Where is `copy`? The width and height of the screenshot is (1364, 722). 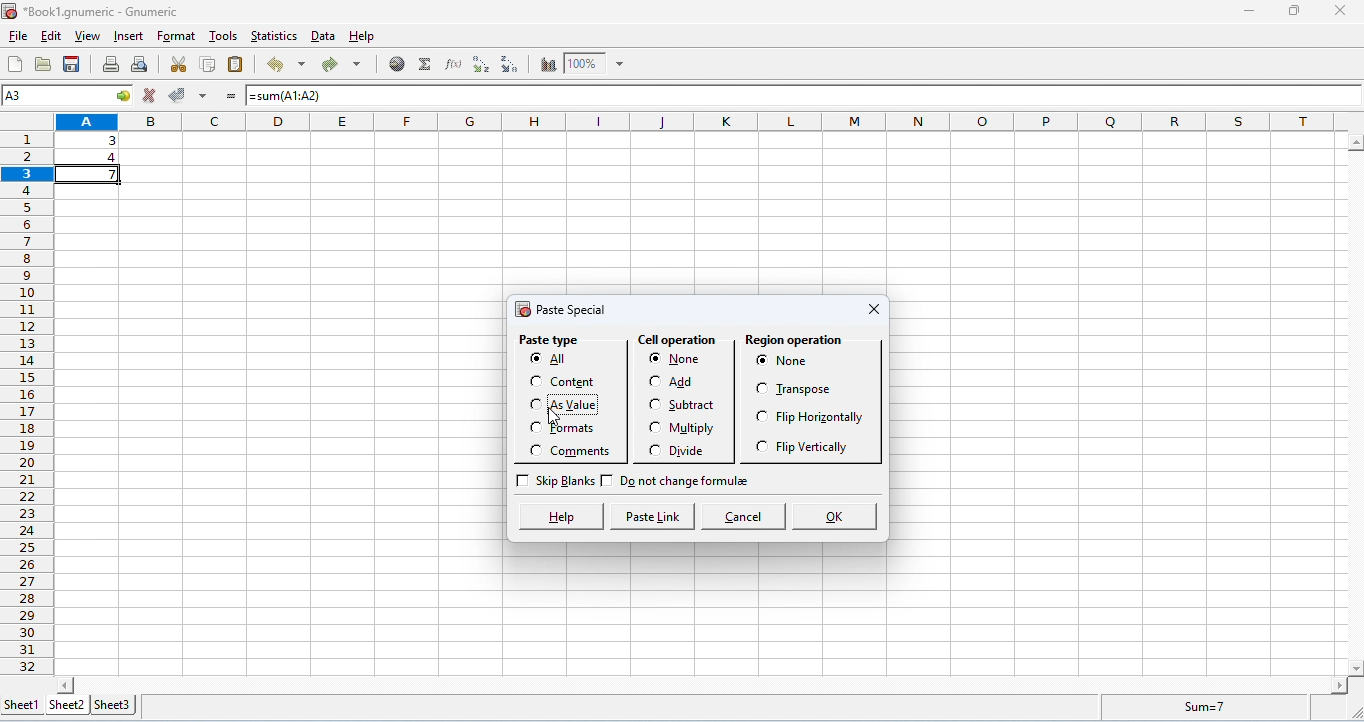
copy is located at coordinates (209, 65).